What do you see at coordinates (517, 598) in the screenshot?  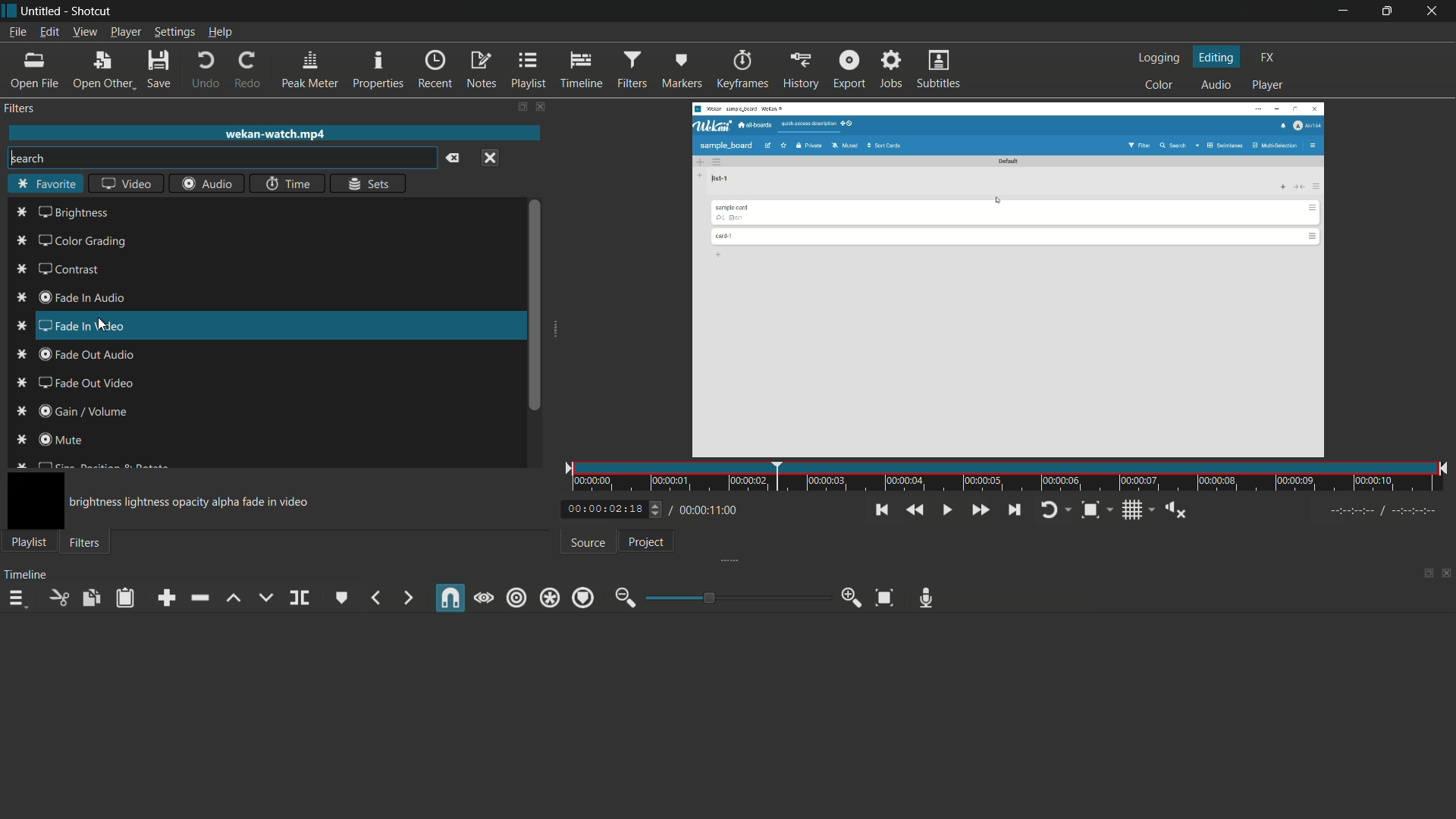 I see `ripple` at bounding box center [517, 598].